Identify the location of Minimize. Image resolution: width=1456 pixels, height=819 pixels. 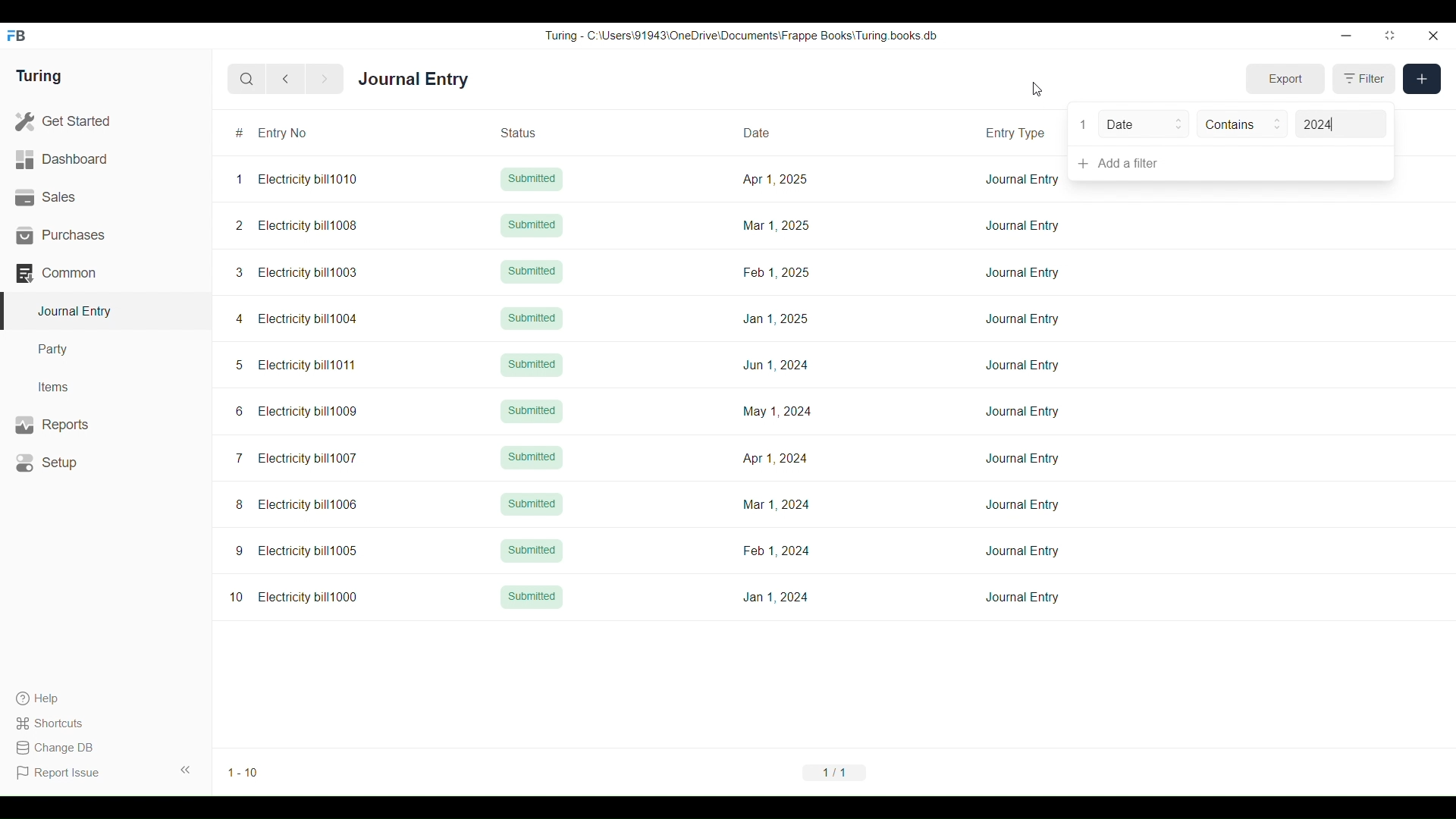
(1347, 36).